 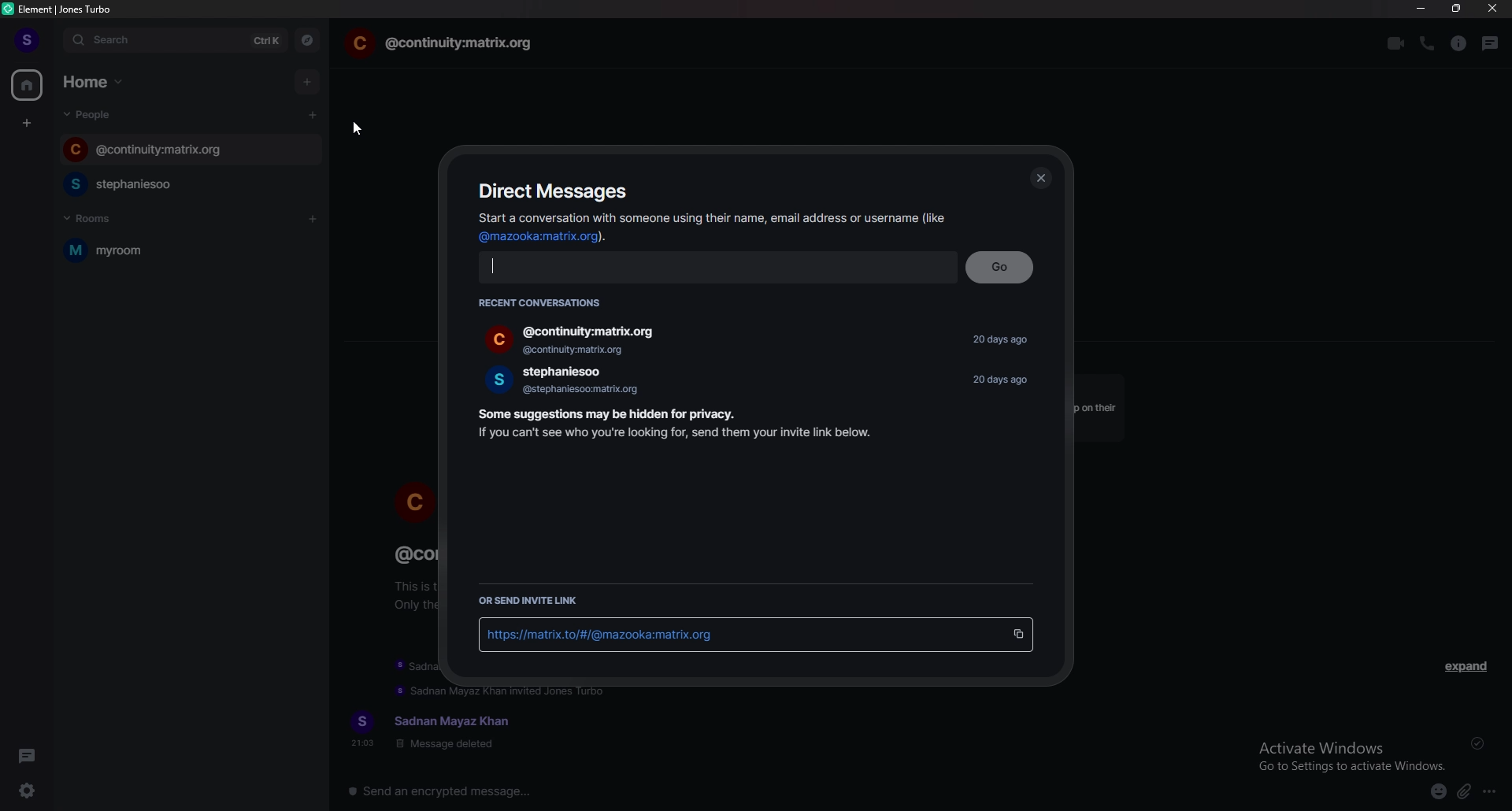 I want to click on update, so click(x=506, y=693).